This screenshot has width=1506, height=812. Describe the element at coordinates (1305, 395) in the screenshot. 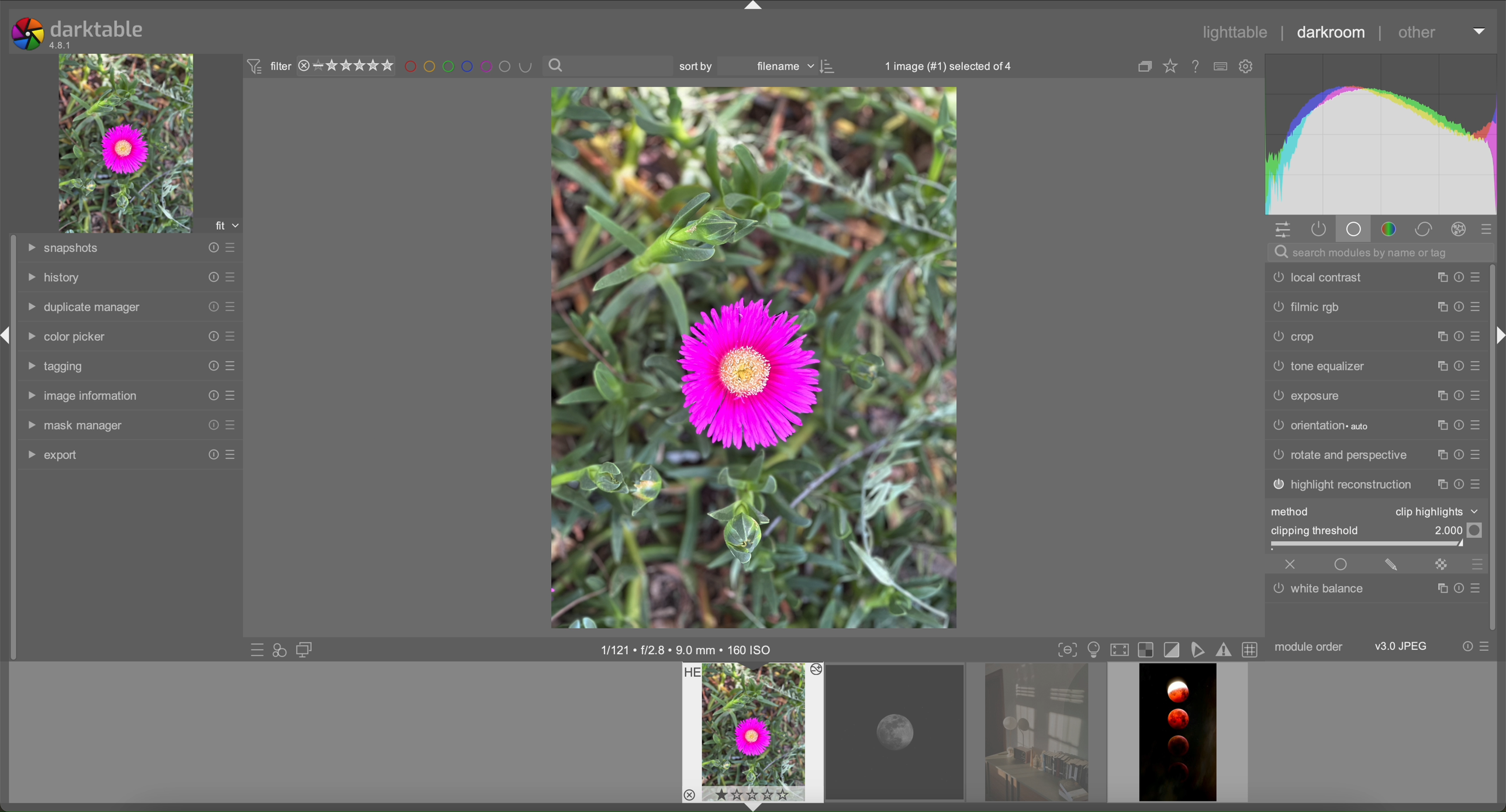

I see `exposure` at that location.